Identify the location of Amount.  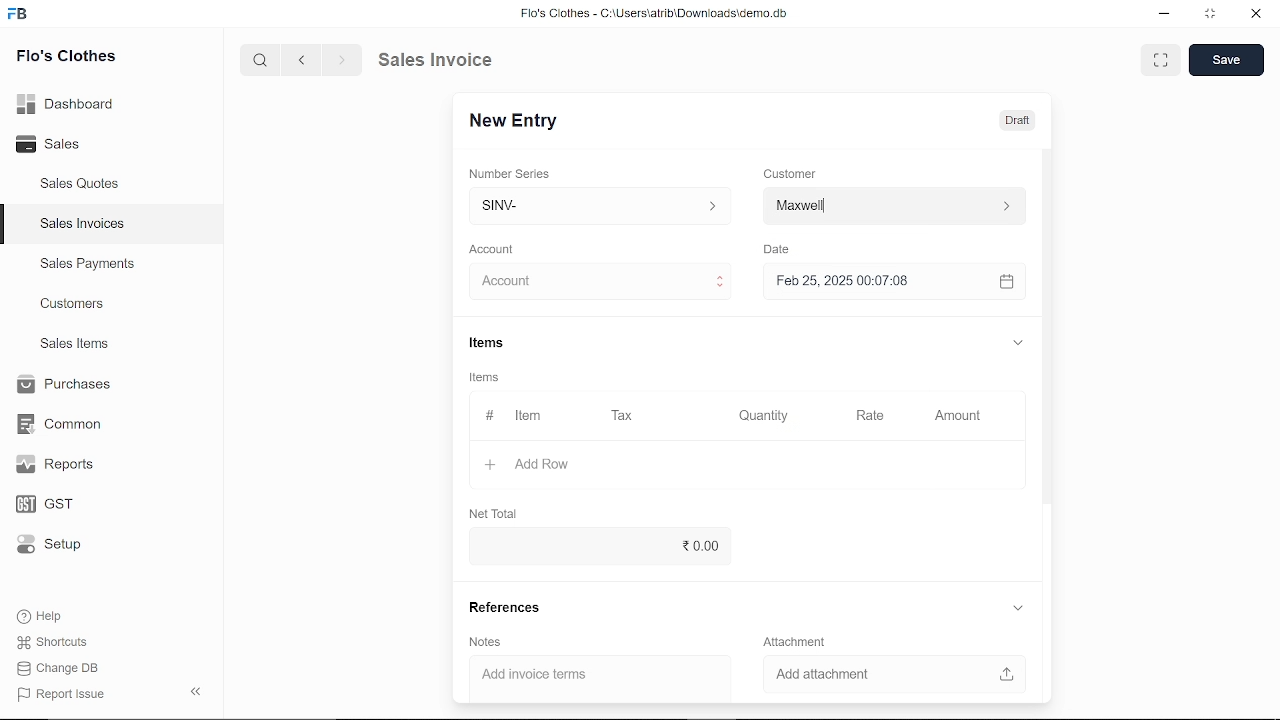
(957, 417).